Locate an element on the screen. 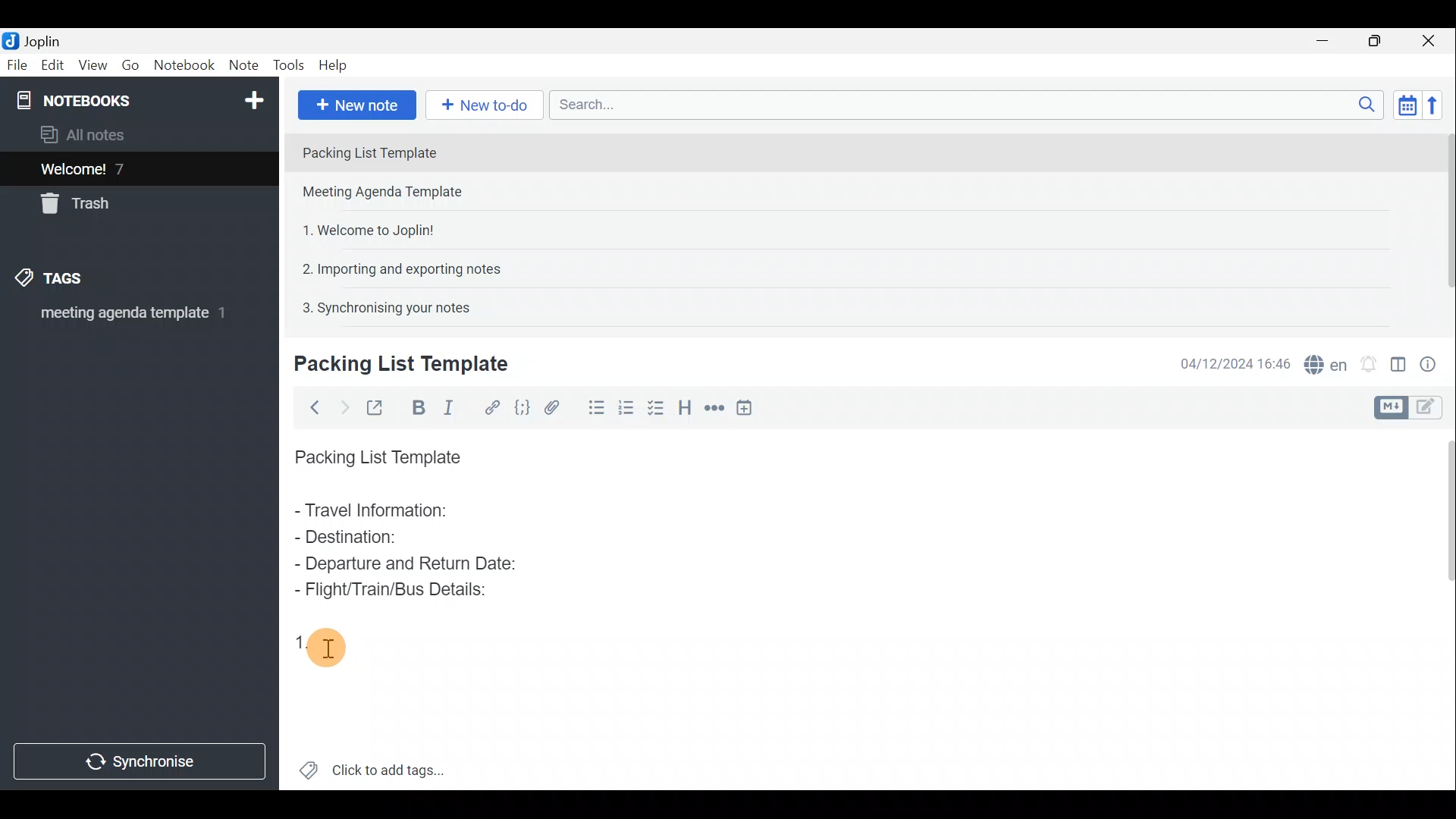 The width and height of the screenshot is (1456, 819). Note 1 is located at coordinates (424, 151).